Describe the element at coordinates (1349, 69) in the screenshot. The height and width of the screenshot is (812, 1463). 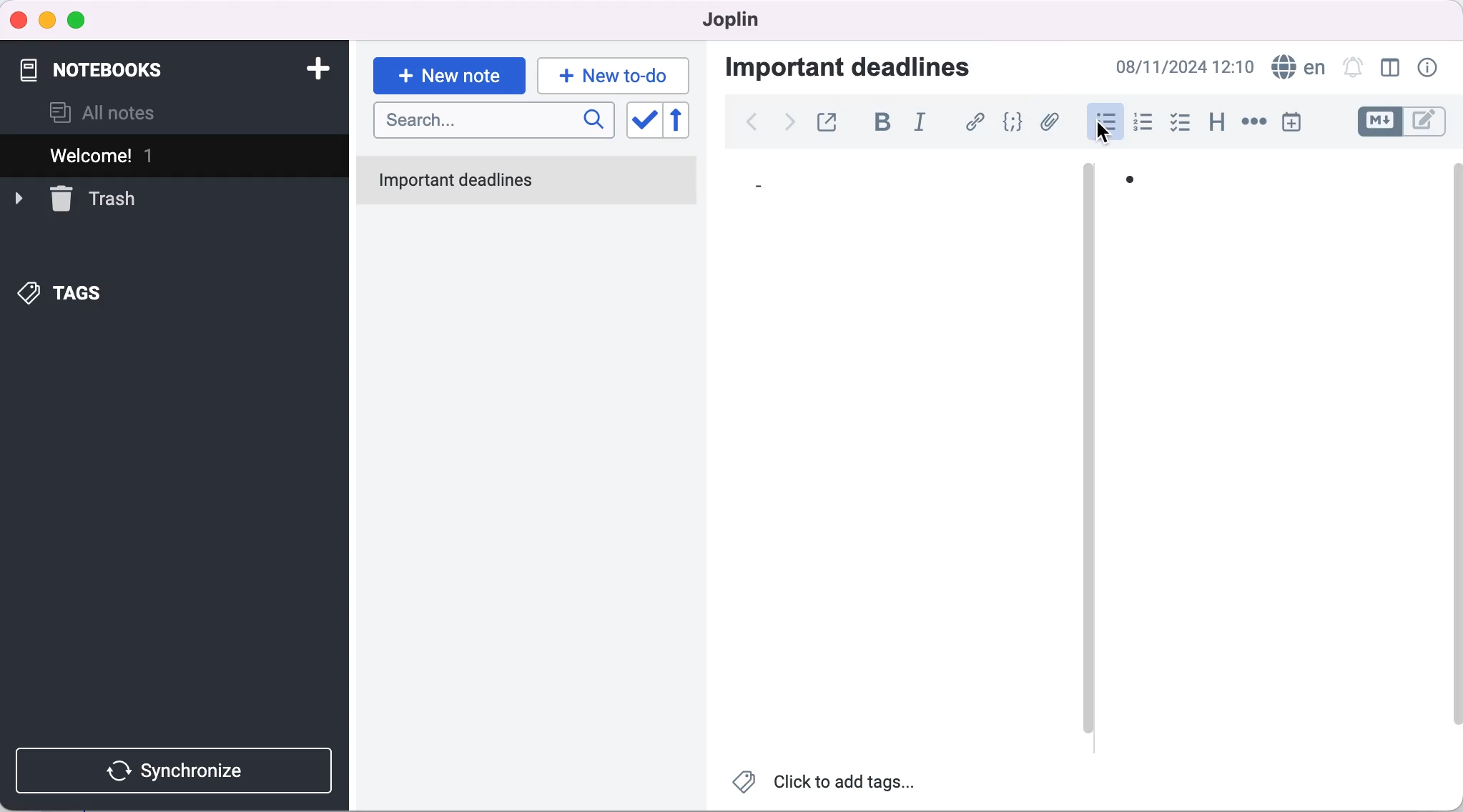
I see `set alarm` at that location.